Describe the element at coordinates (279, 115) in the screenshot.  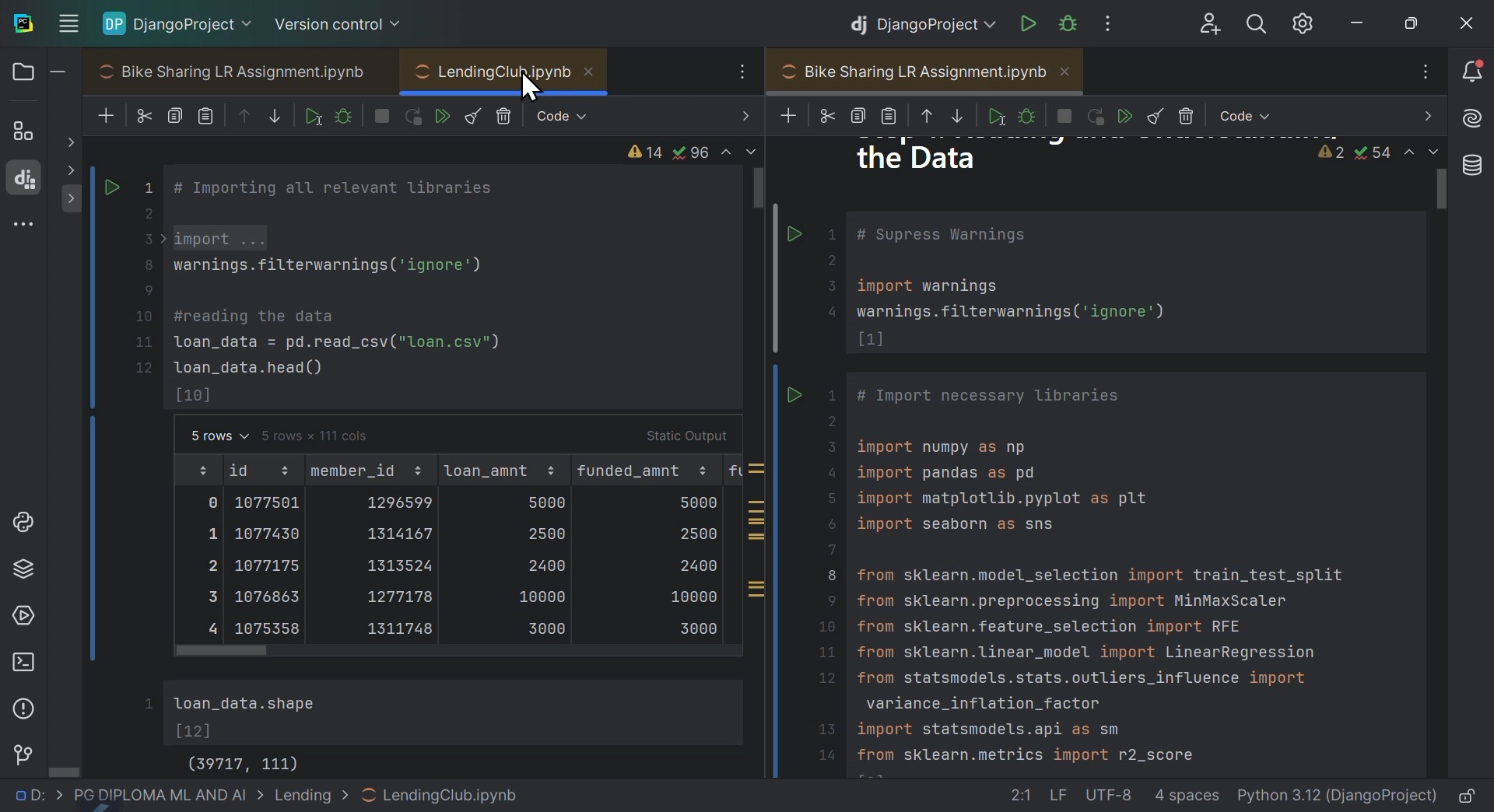
I see `Move sail down` at that location.